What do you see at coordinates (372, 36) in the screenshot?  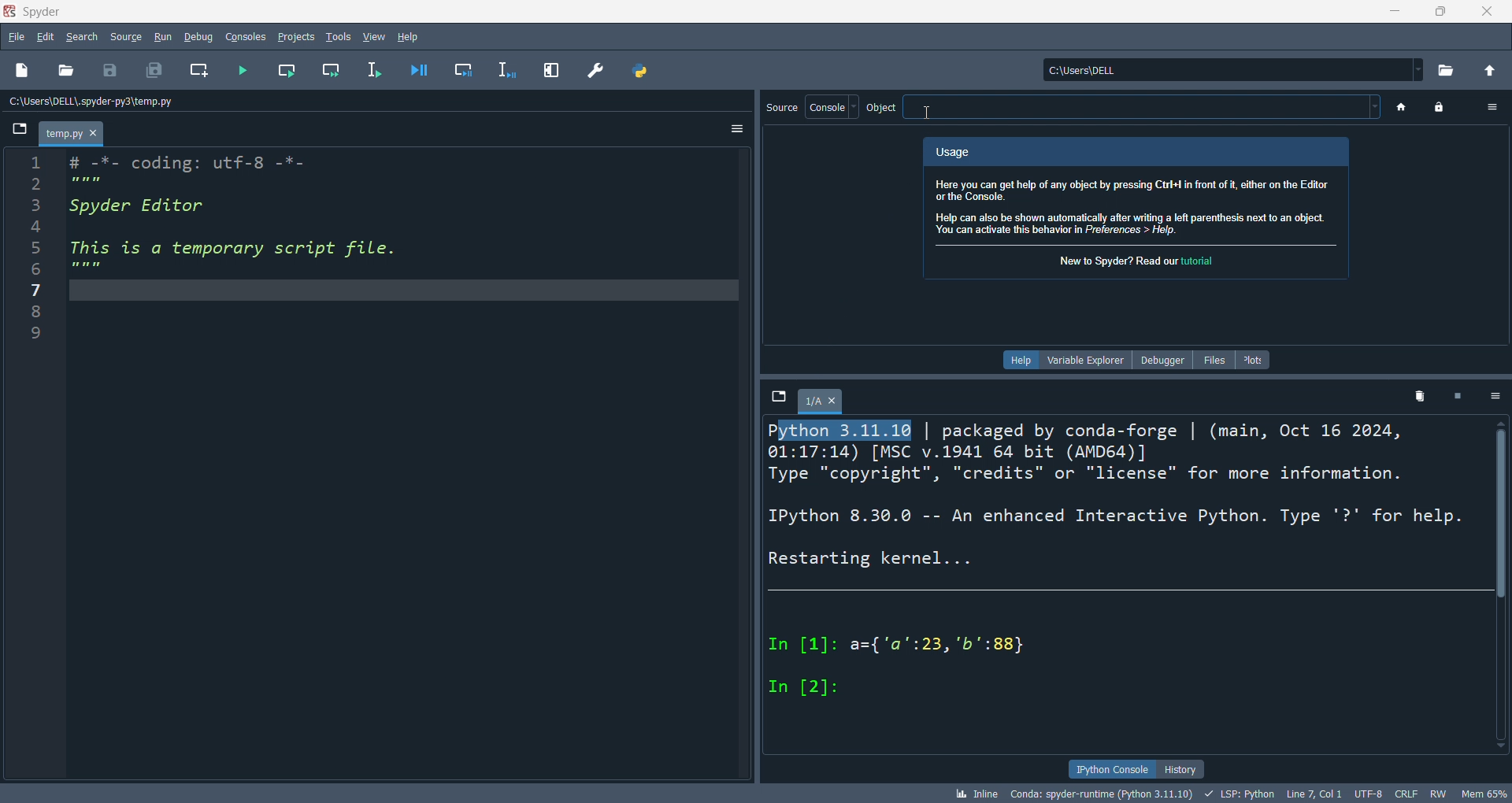 I see `view` at bounding box center [372, 36].